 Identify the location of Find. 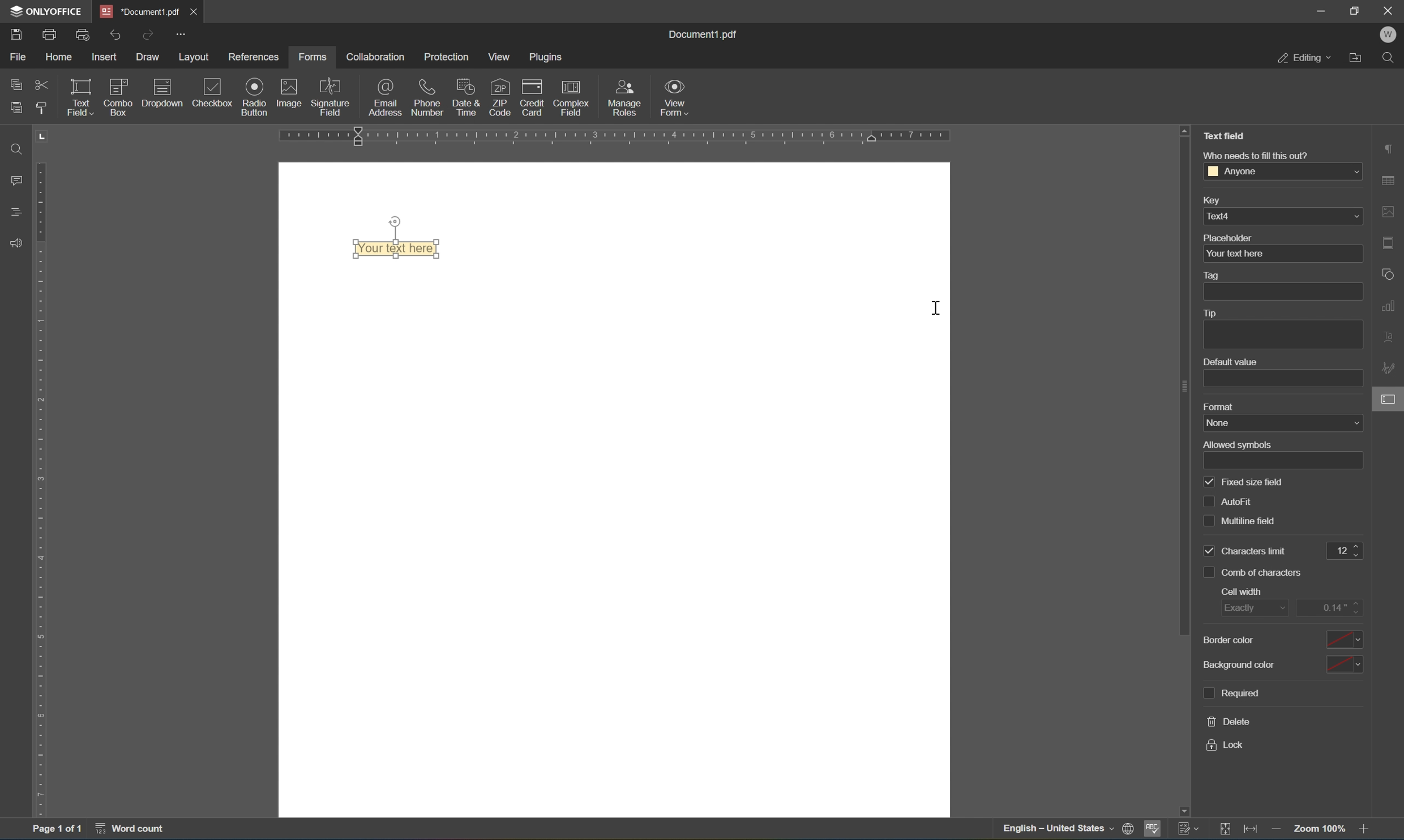
(1390, 60).